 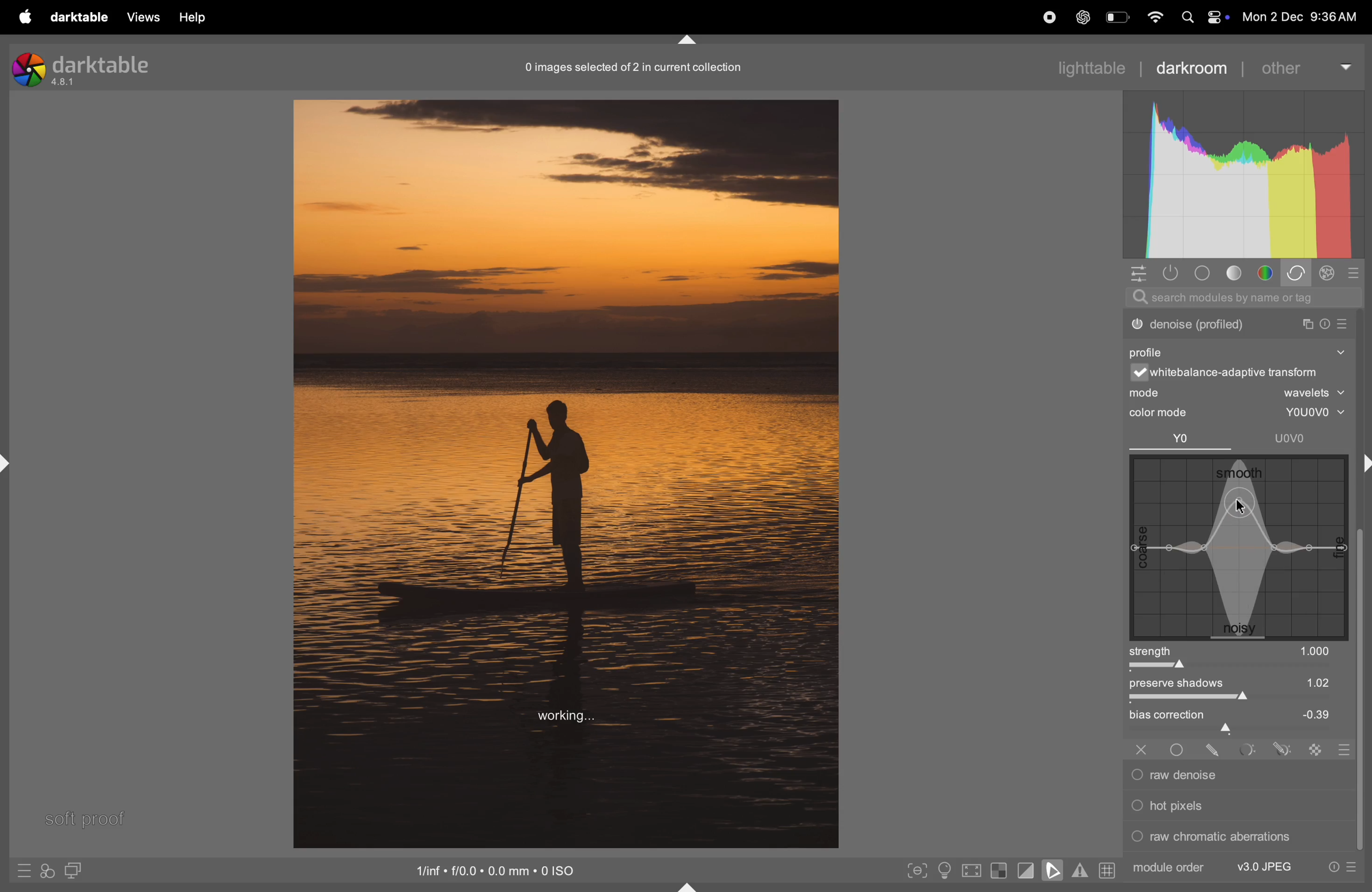 I want to click on help, so click(x=195, y=17).